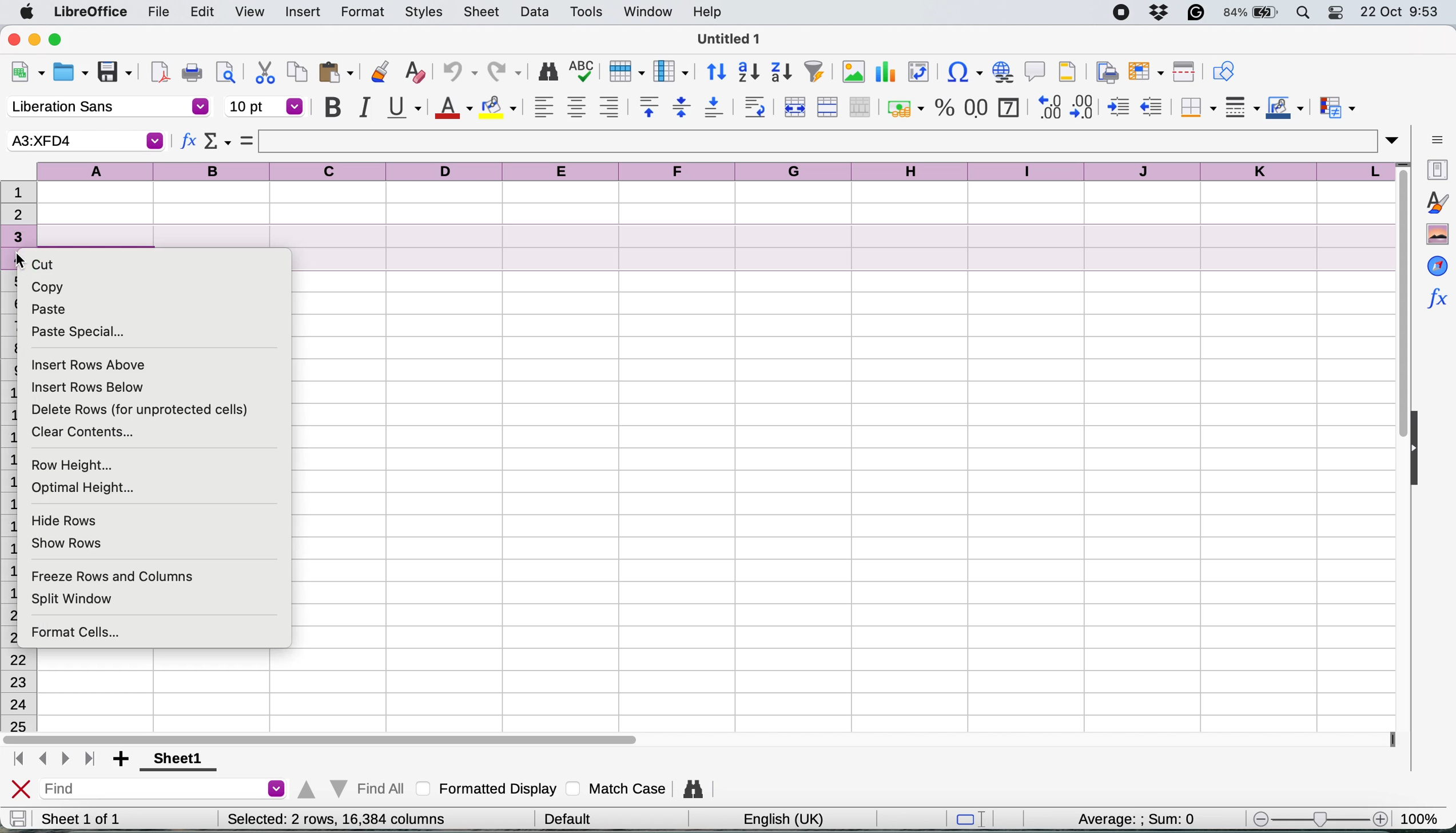 This screenshot has width=1456, height=833. What do you see at coordinates (108, 108) in the screenshot?
I see `font` at bounding box center [108, 108].